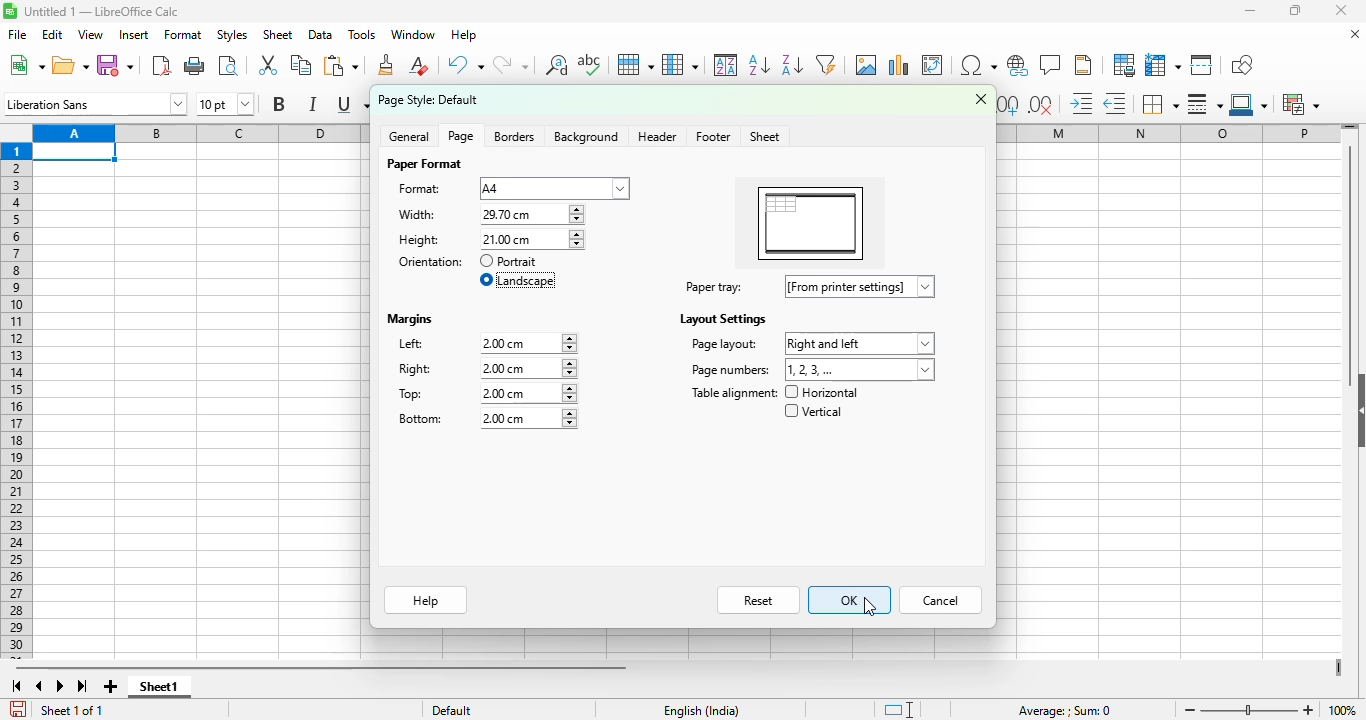 This screenshot has height=720, width=1366. I want to click on 2.00 cm, so click(528, 369).